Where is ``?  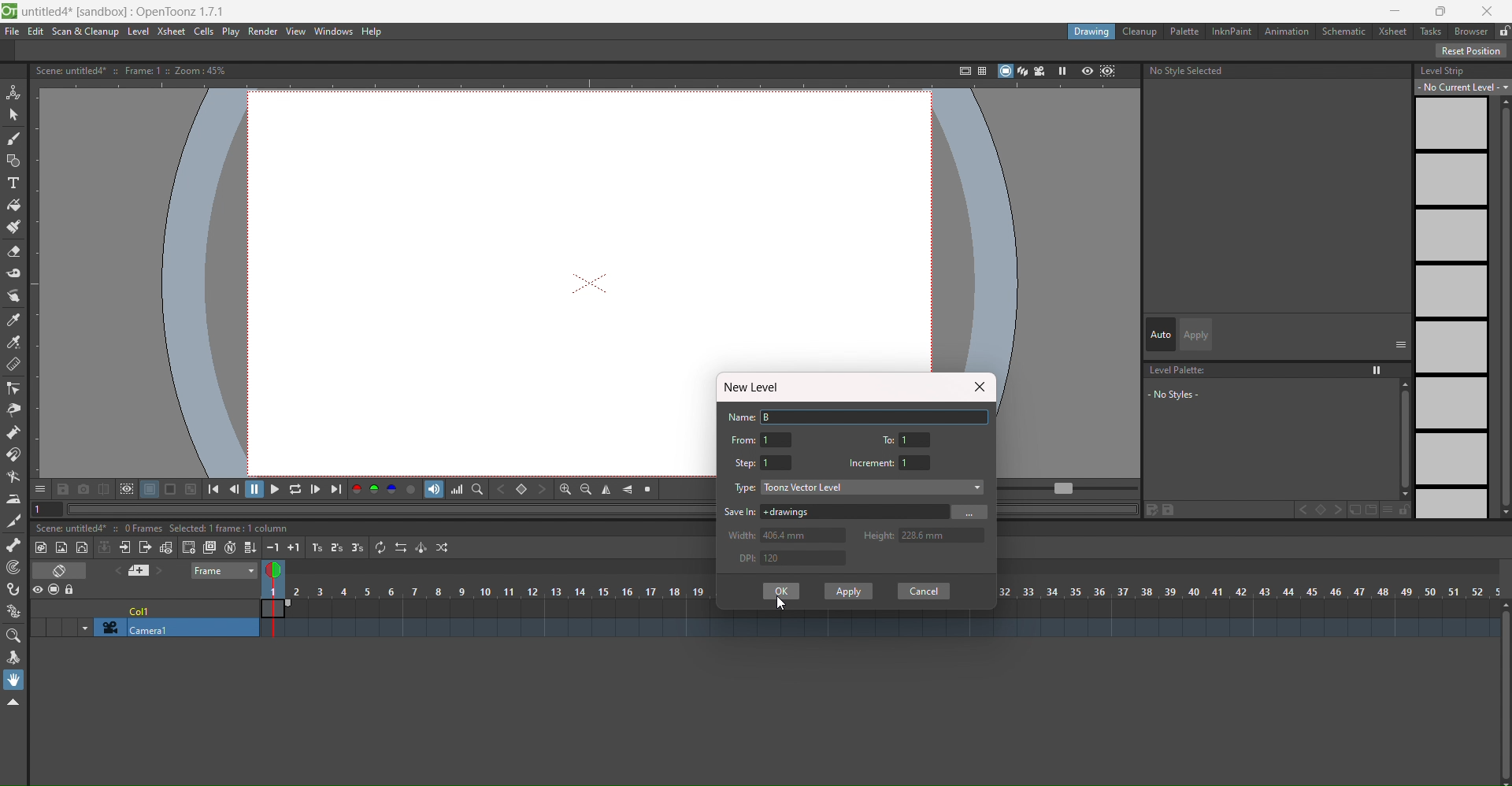  is located at coordinates (648, 490).